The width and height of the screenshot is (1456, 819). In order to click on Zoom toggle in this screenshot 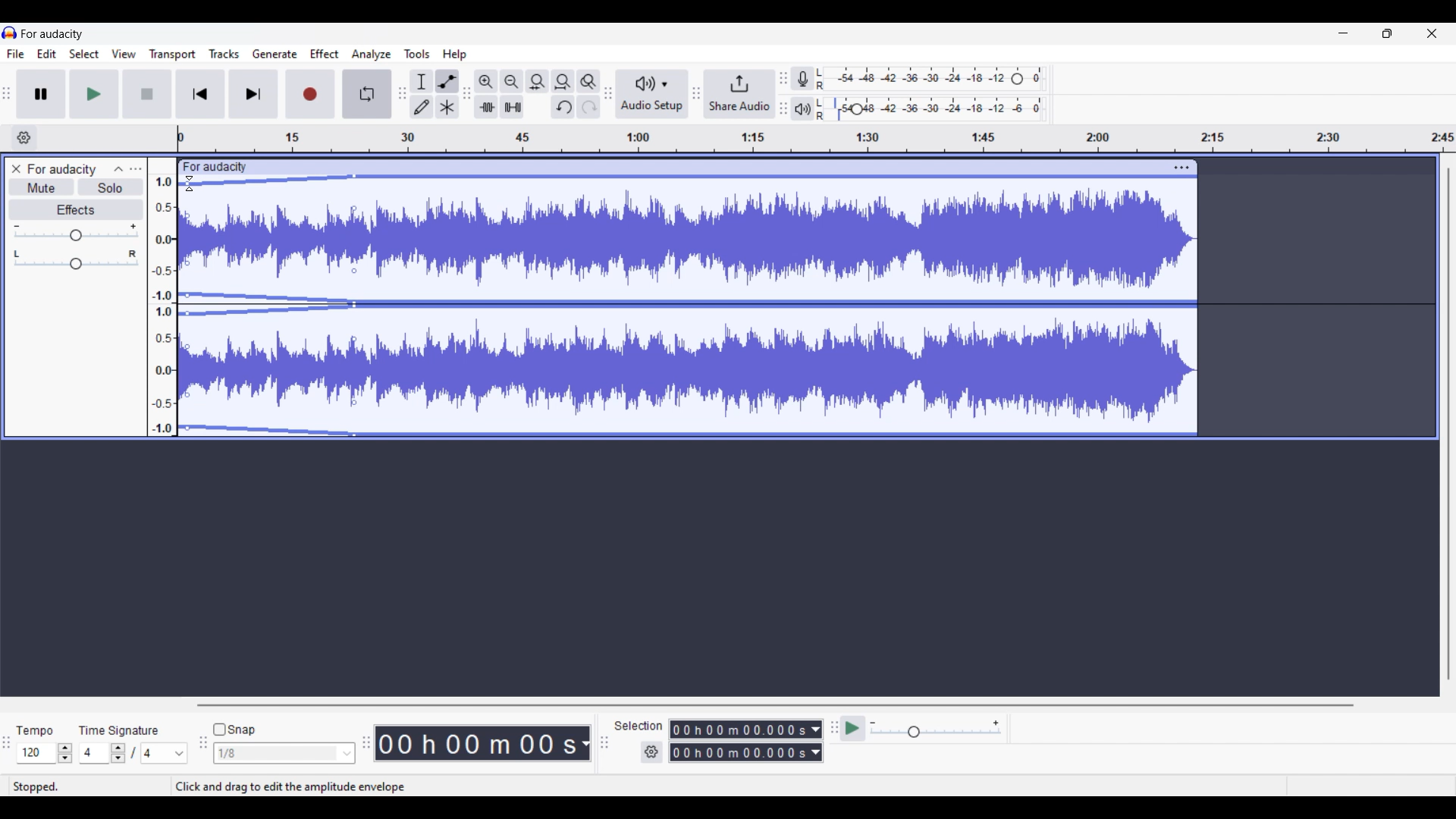, I will do `click(588, 81)`.